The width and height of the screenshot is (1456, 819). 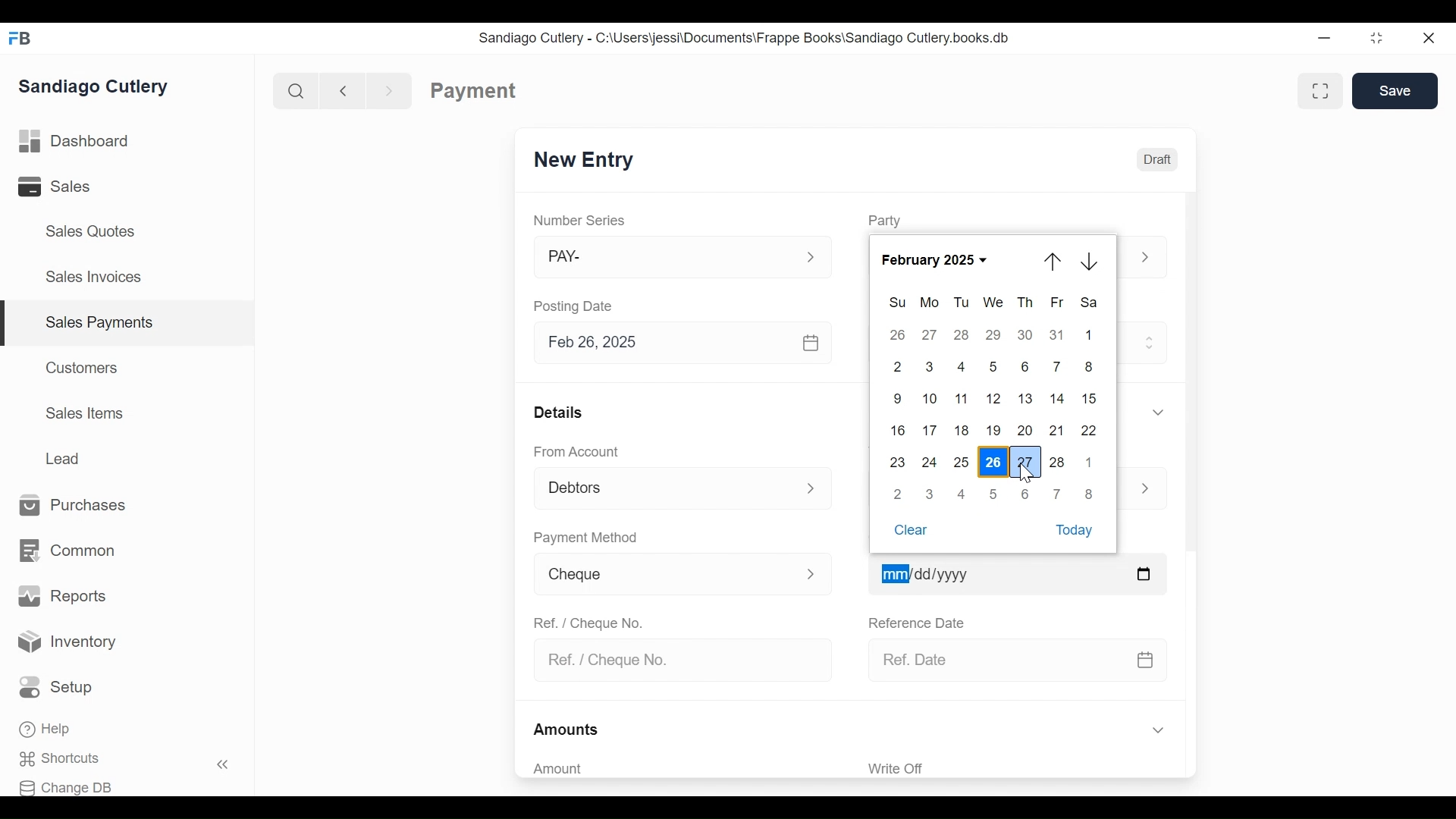 What do you see at coordinates (997, 660) in the screenshot?
I see `Ref. Date` at bounding box center [997, 660].